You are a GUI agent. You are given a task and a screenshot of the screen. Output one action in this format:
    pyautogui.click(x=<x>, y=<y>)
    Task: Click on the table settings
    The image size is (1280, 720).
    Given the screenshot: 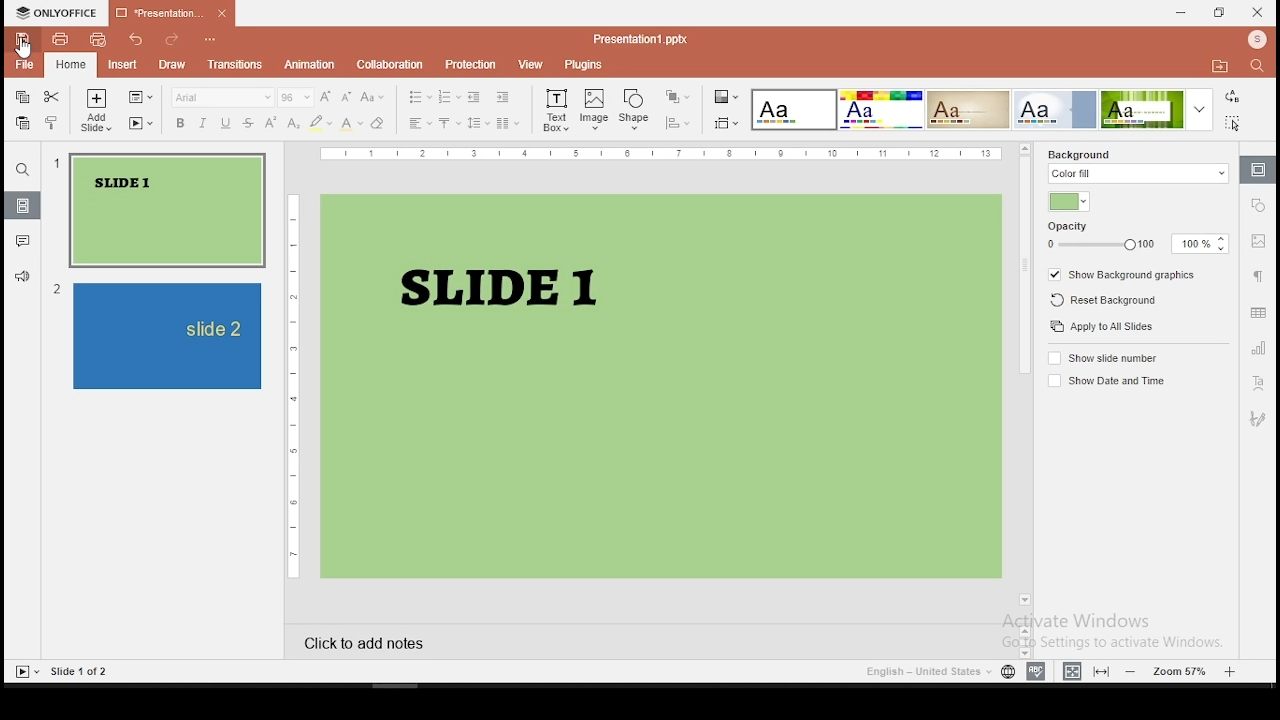 What is the action you would take?
    pyautogui.click(x=1256, y=312)
    